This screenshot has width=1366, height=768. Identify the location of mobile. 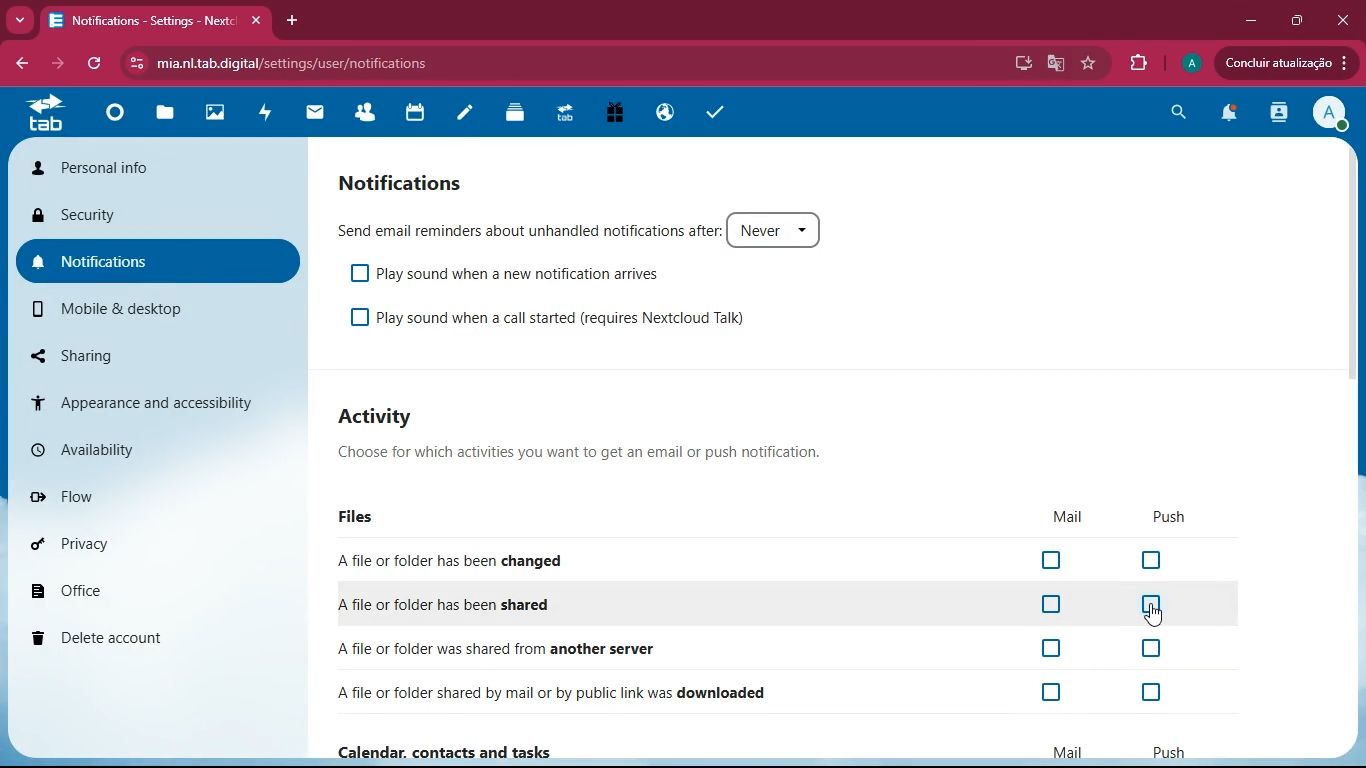
(129, 306).